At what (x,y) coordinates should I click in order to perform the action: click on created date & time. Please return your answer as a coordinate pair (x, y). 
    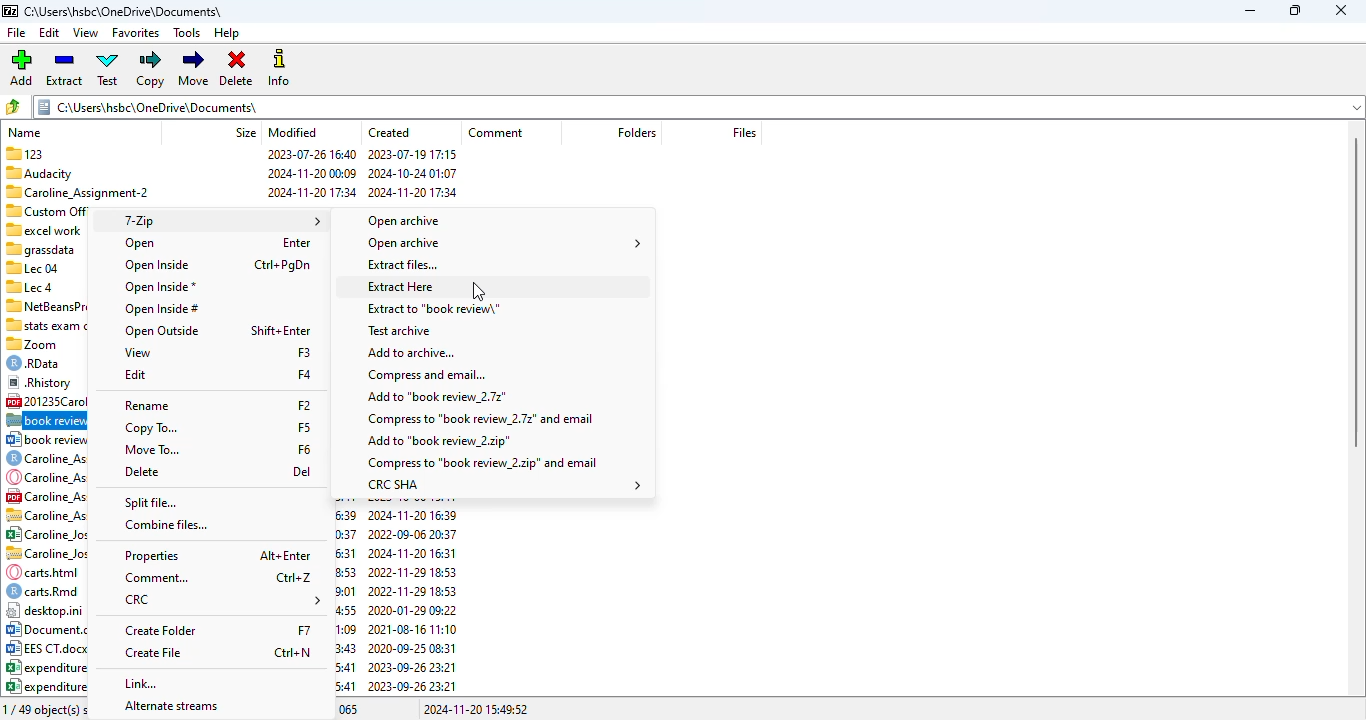
    Looking at the image, I should click on (413, 176).